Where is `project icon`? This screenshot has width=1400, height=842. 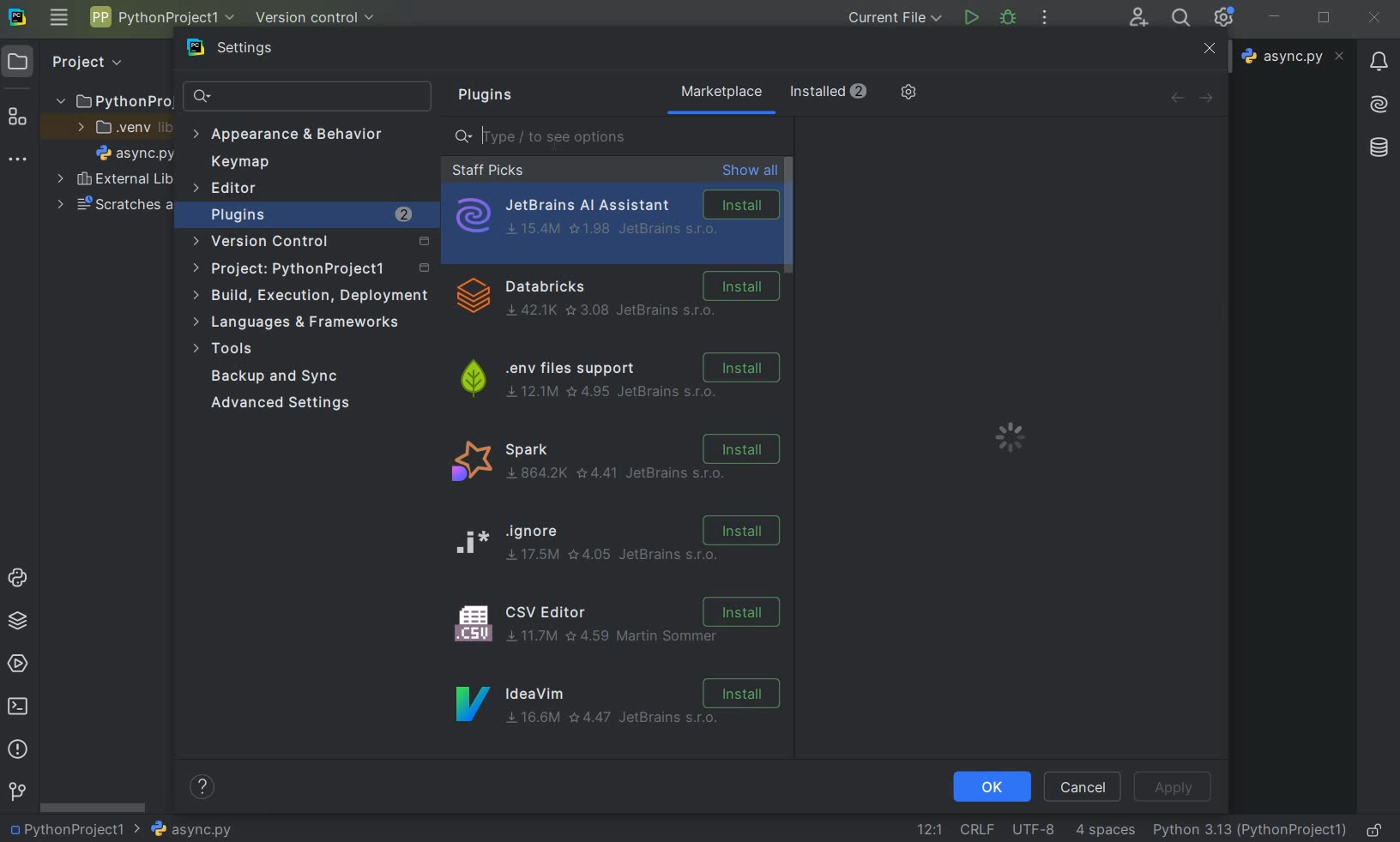 project icon is located at coordinates (21, 62).